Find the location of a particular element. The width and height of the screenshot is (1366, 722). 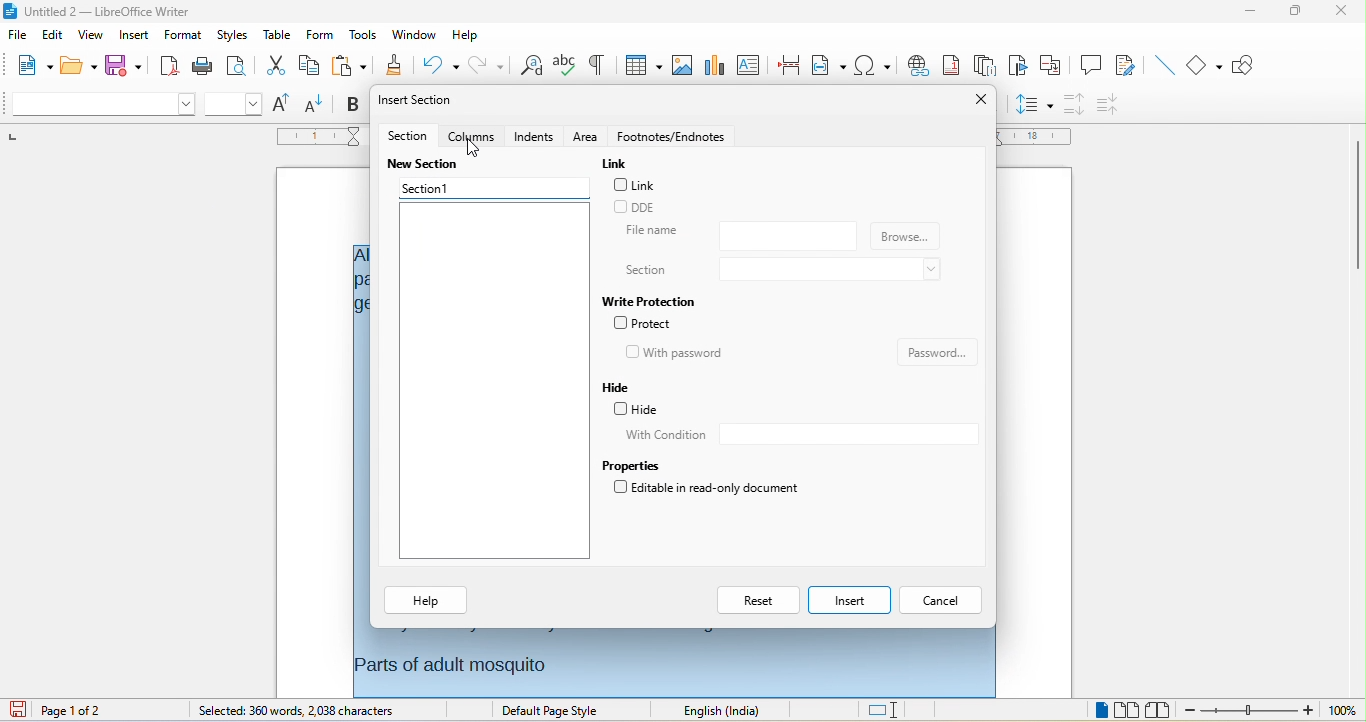

show track is located at coordinates (1132, 66).